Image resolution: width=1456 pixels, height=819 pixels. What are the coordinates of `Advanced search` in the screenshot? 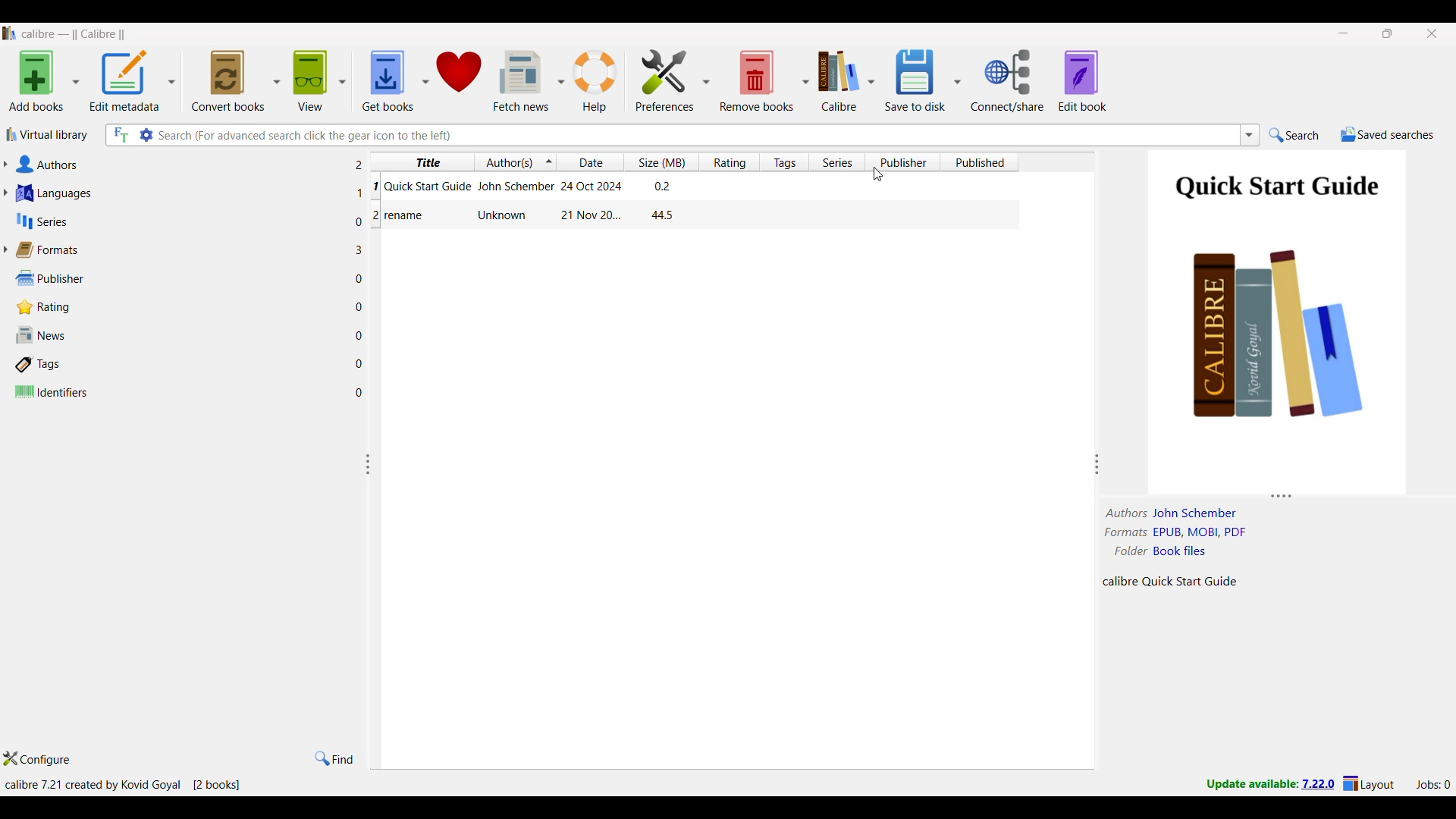 It's located at (146, 135).